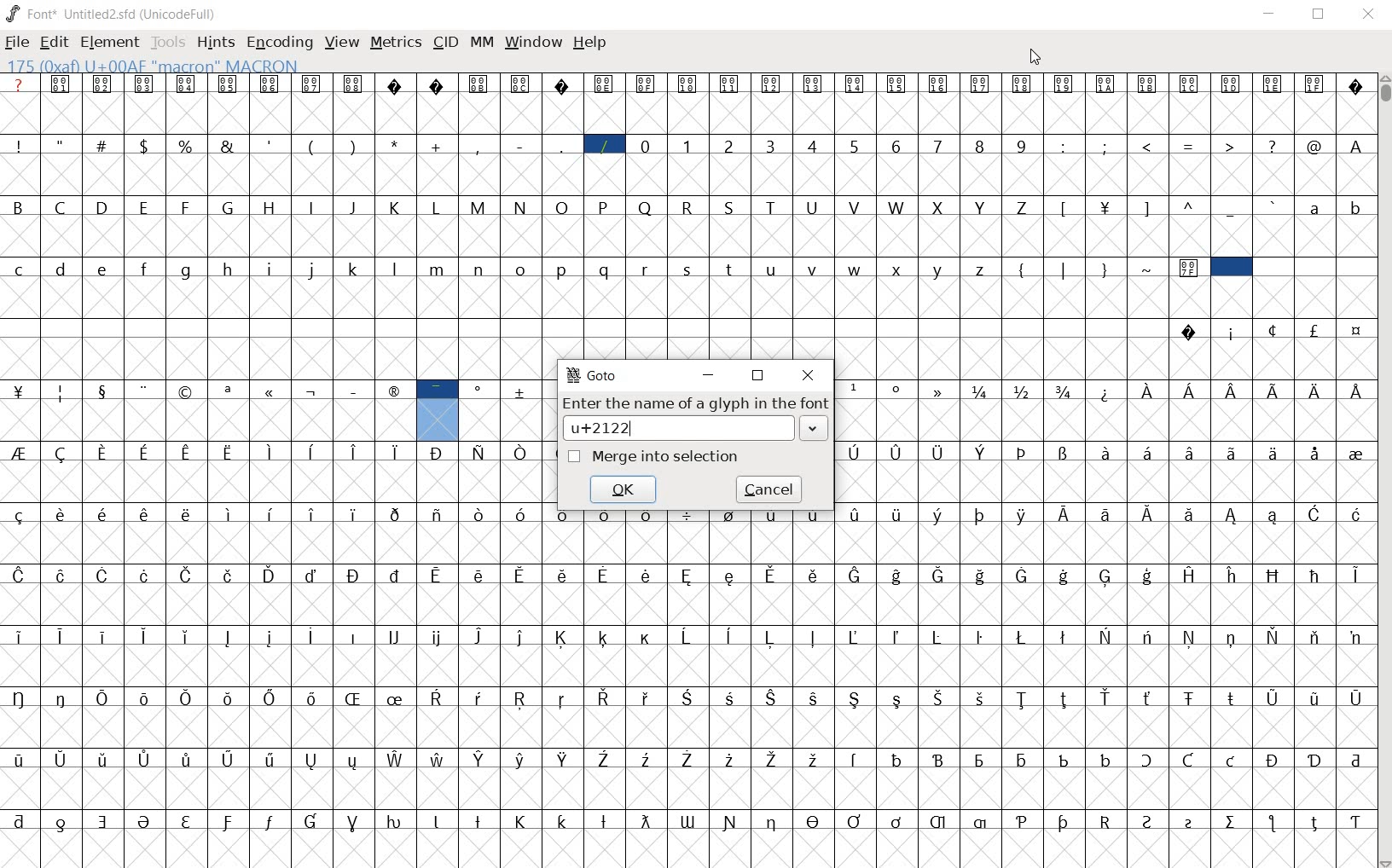 The image size is (1392, 868). Describe the element at coordinates (110, 14) in the screenshot. I see `font* Untitled2.sfd (unicodeFull)` at that location.